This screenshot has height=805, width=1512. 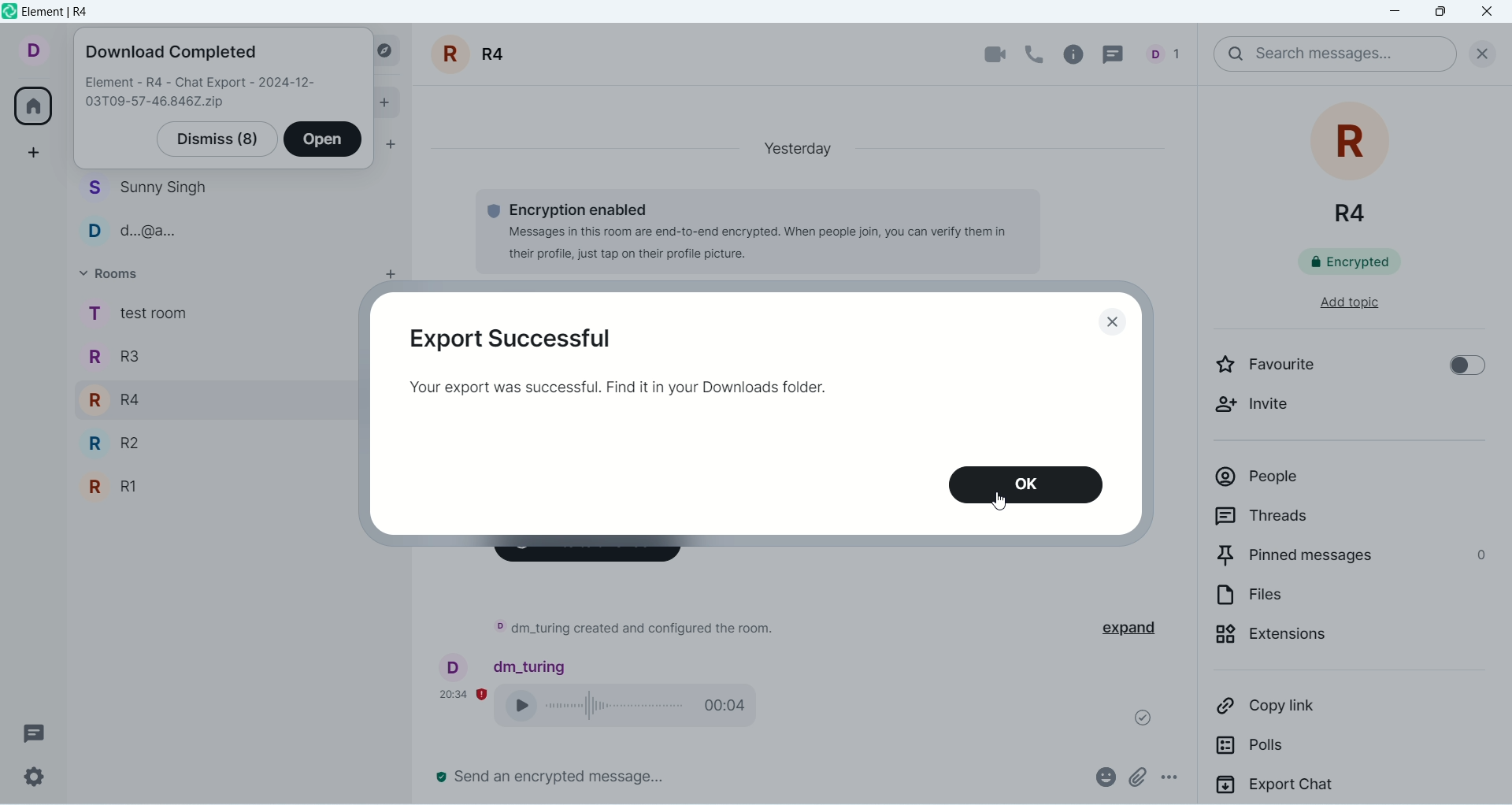 What do you see at coordinates (1315, 711) in the screenshot?
I see `copy link` at bounding box center [1315, 711].